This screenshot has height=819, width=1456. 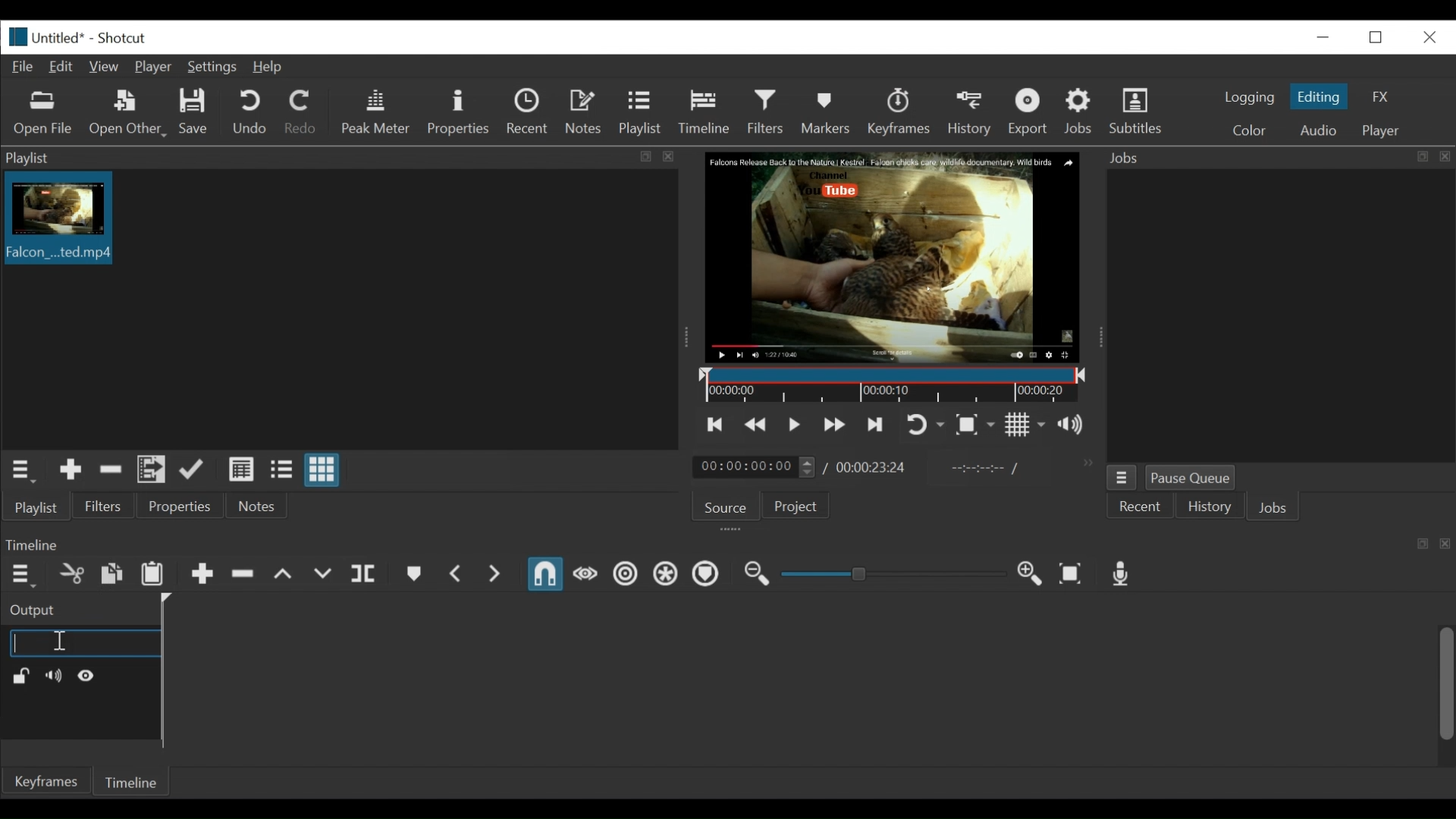 I want to click on Help, so click(x=268, y=66).